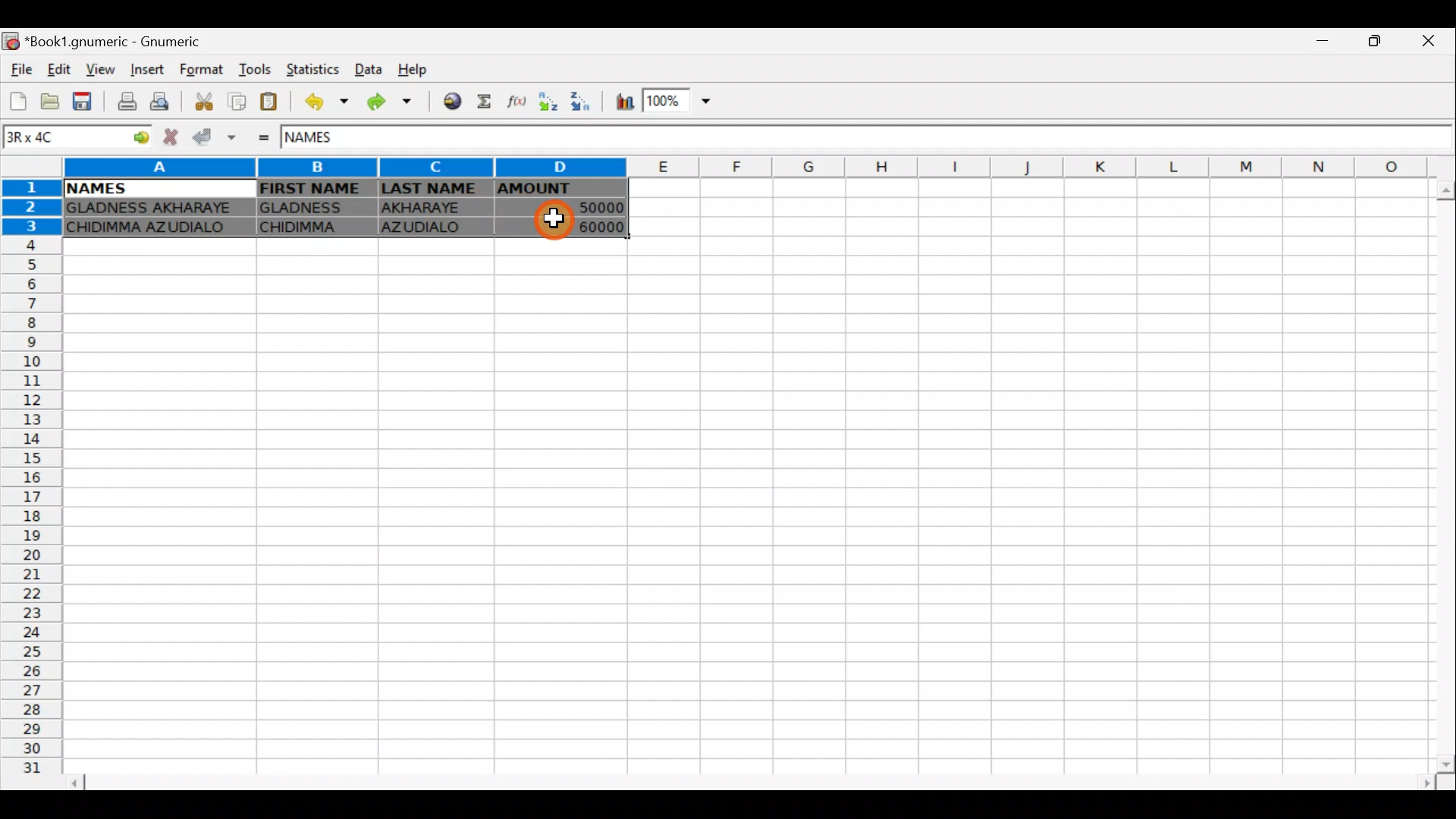  Describe the element at coordinates (909, 141) in the screenshot. I see `Formula bar` at that location.